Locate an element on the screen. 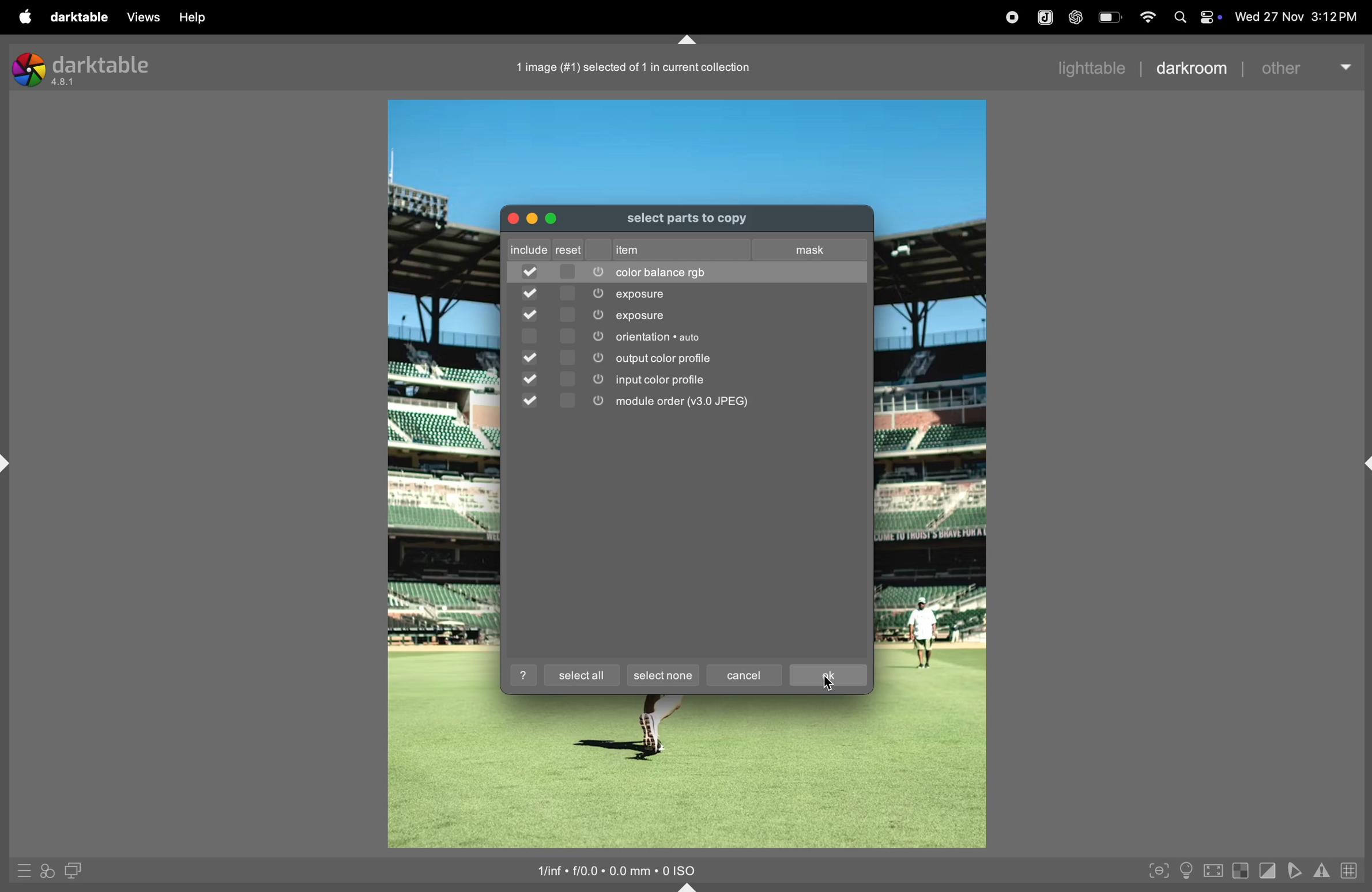 The width and height of the screenshot is (1372, 892). minimize is located at coordinates (531, 221).